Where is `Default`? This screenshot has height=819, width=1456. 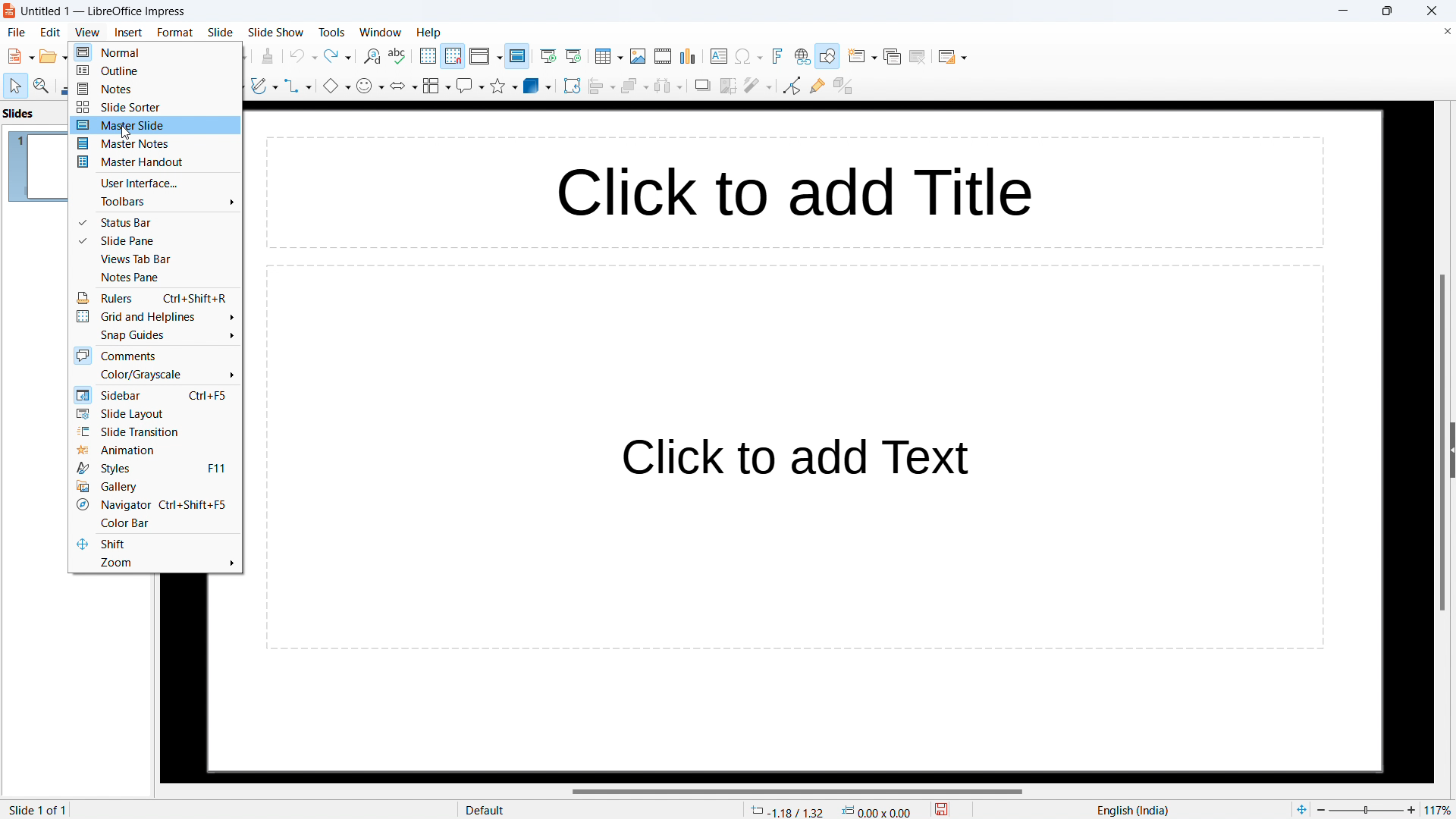 Default is located at coordinates (487, 810).